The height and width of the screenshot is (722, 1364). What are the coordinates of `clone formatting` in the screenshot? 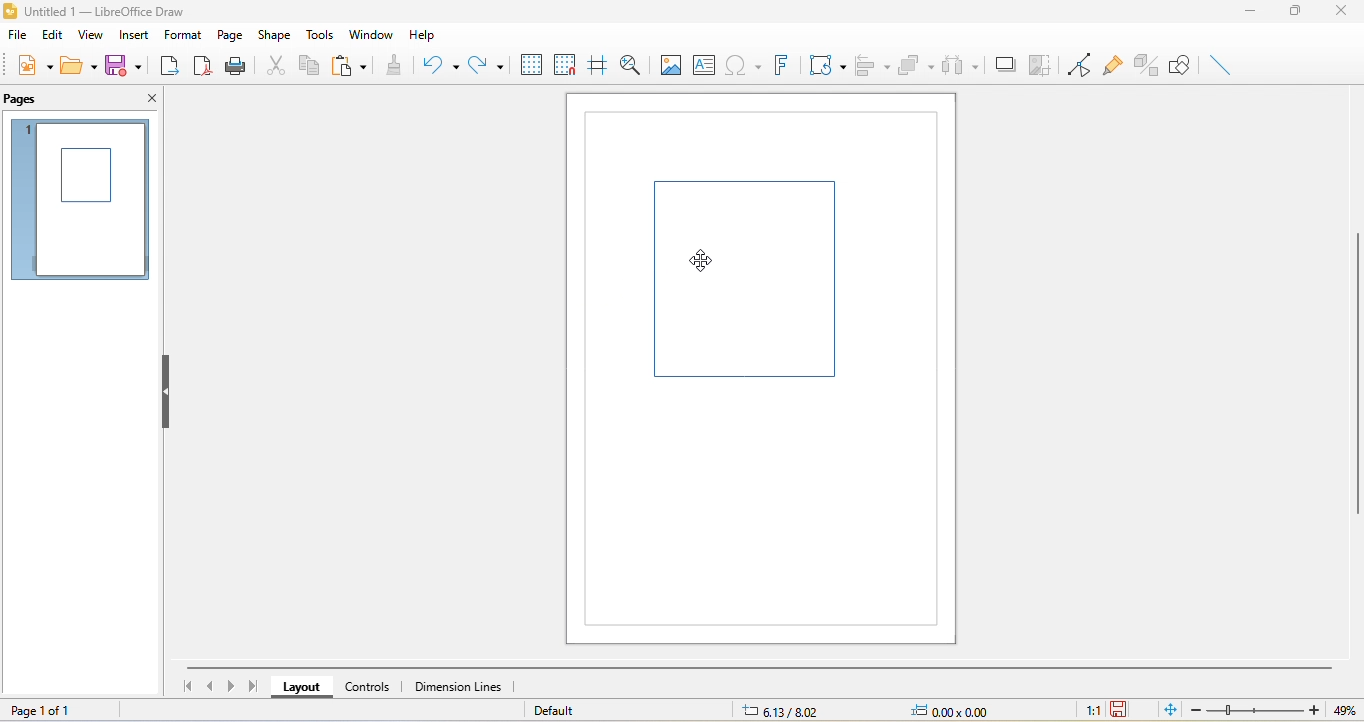 It's located at (394, 68).